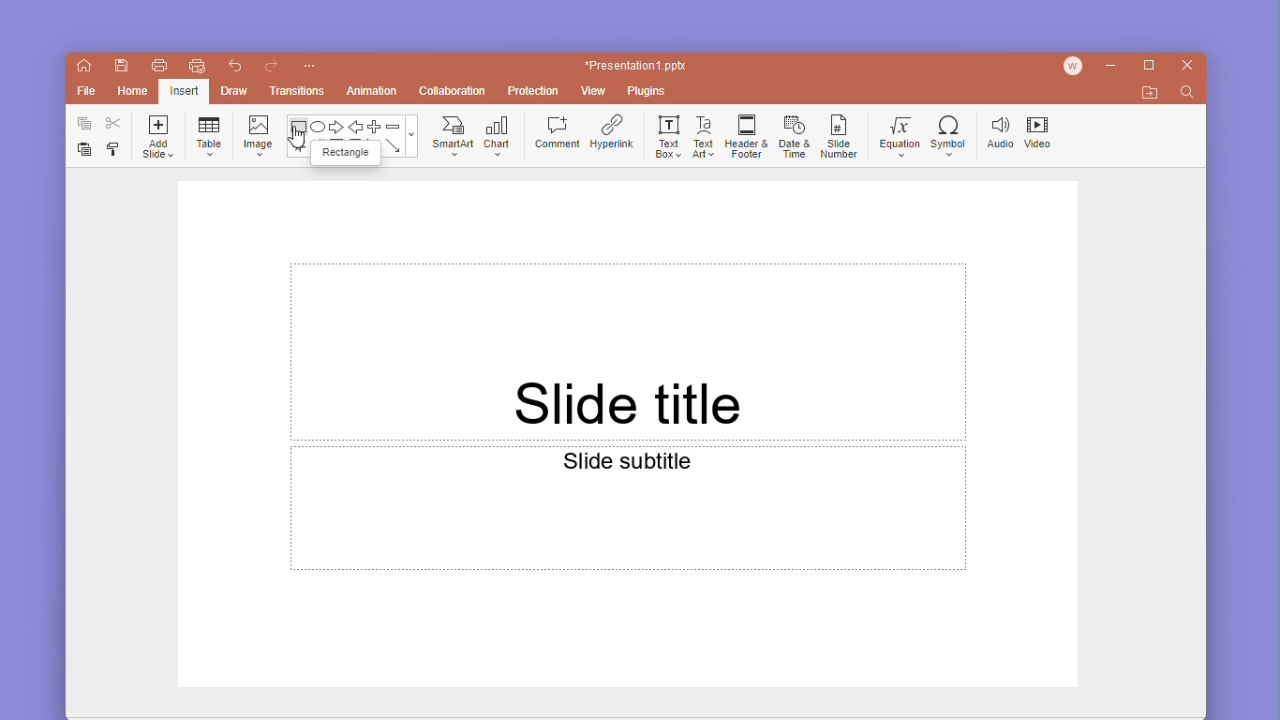 The width and height of the screenshot is (1280, 720). I want to click on home, so click(129, 93).